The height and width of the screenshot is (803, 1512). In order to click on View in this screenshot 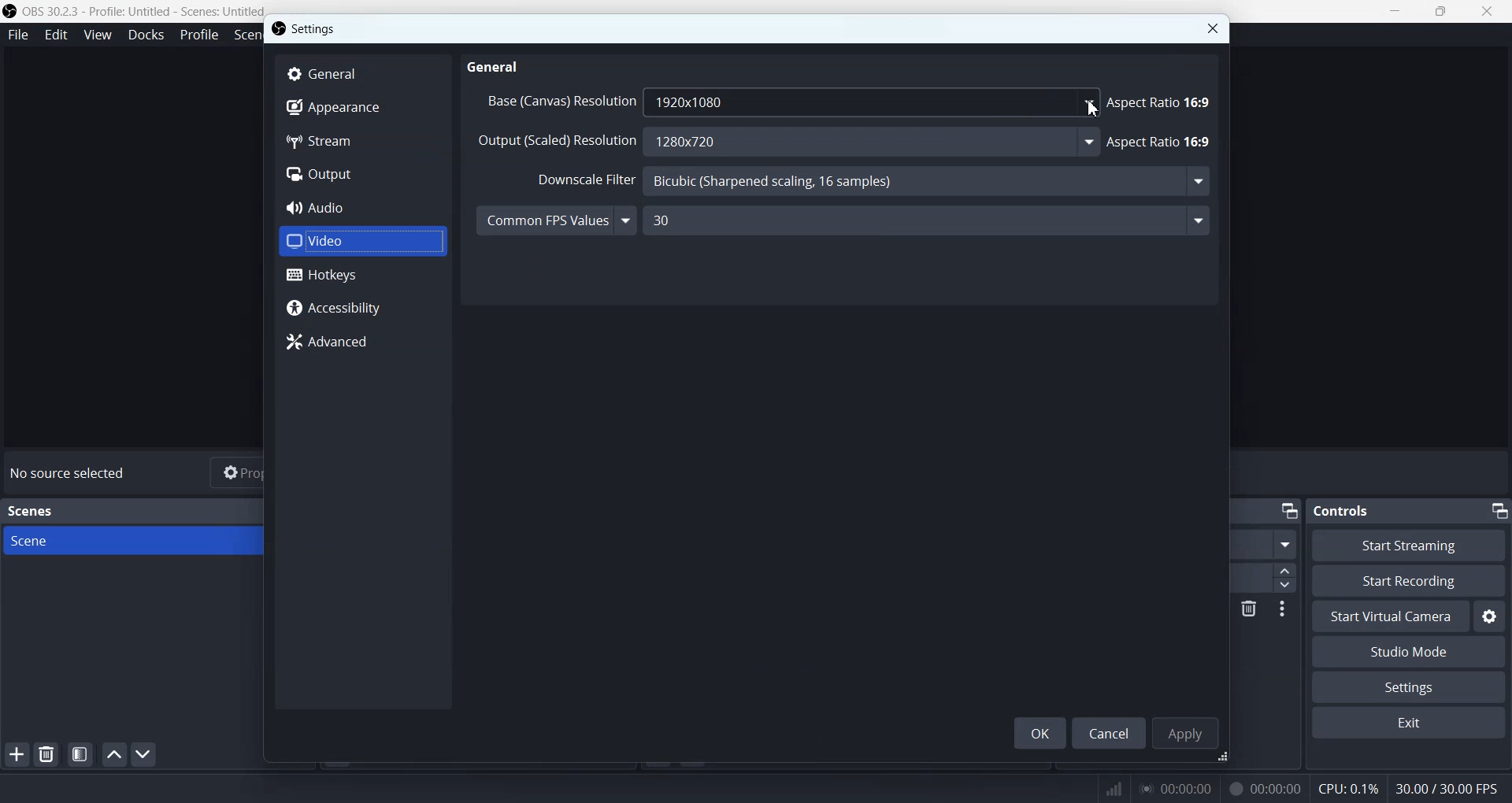, I will do `click(97, 35)`.